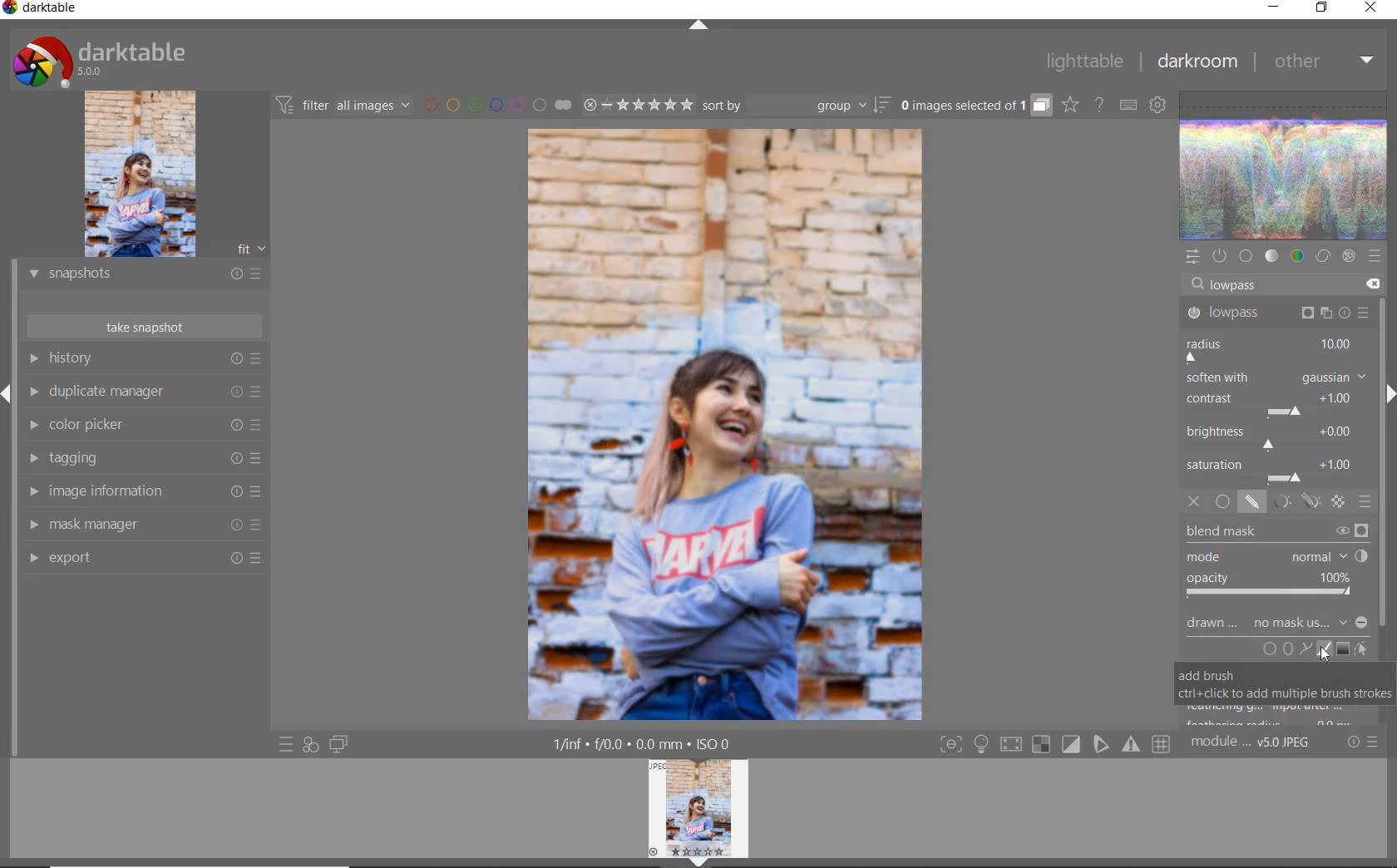 This screenshot has height=868, width=1397. I want to click on show & edit mask elements, so click(1362, 650).